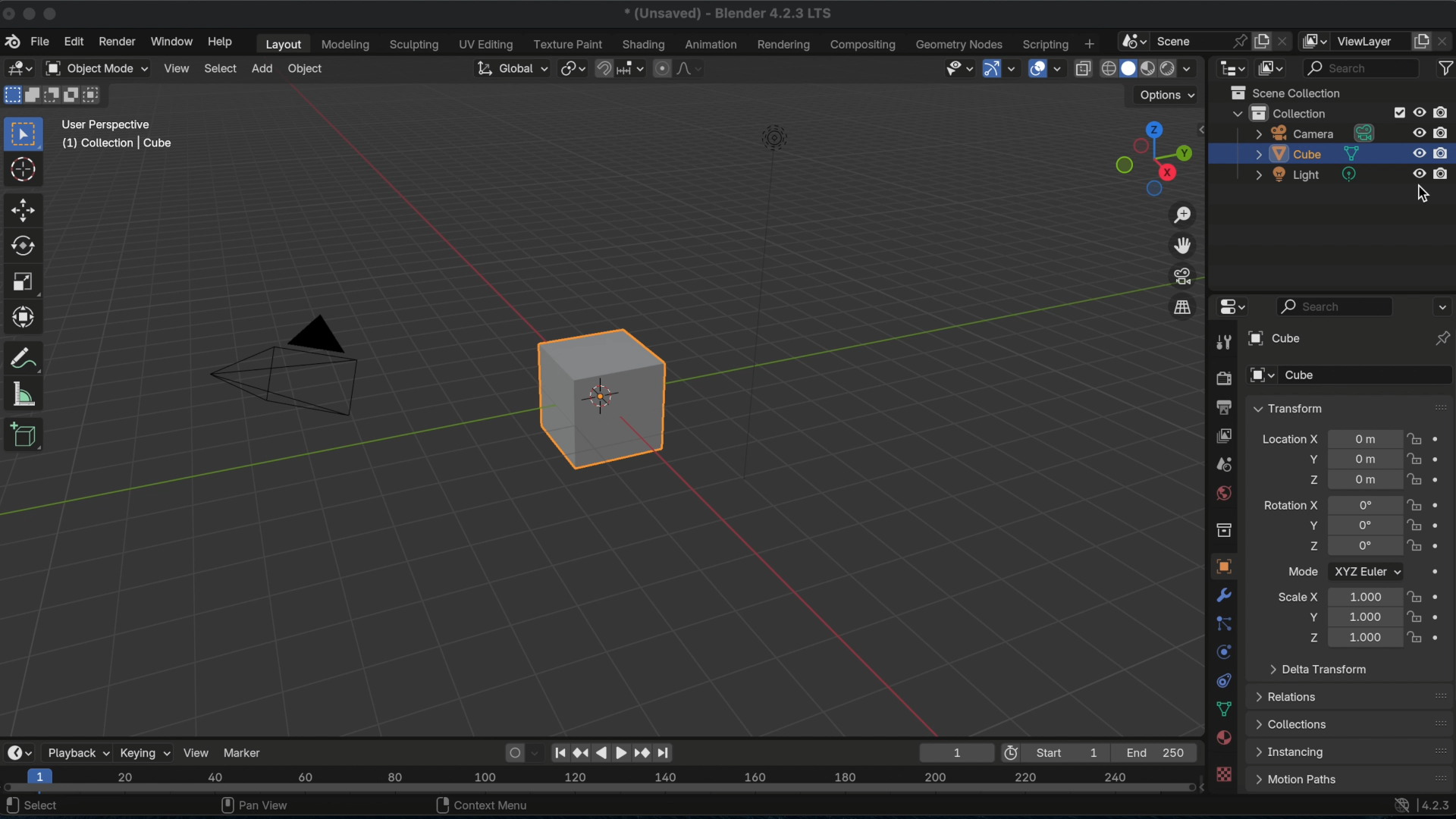  I want to click on lock location, so click(1416, 503).